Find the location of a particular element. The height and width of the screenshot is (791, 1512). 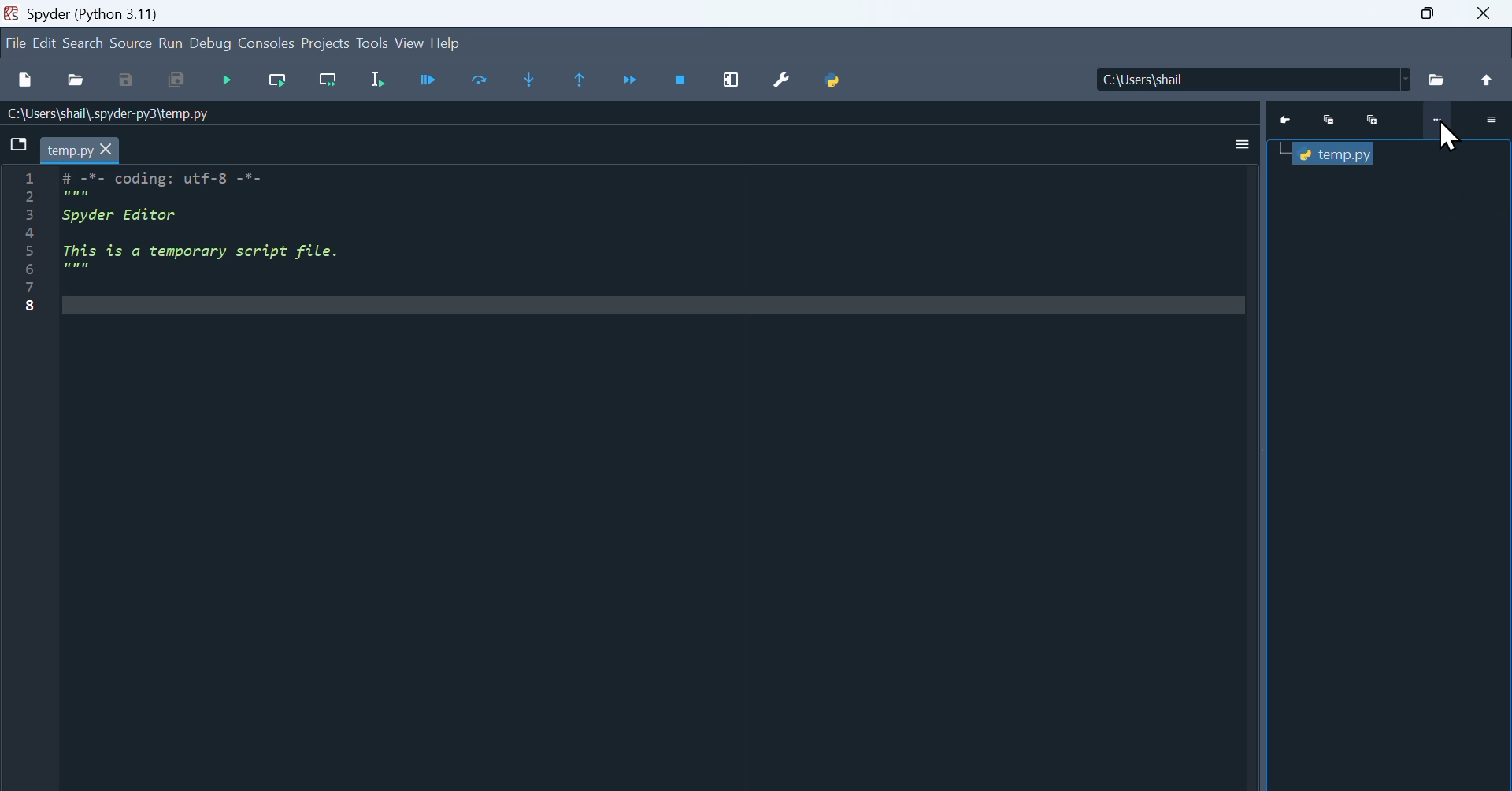

Maximize is located at coordinates (1429, 13).